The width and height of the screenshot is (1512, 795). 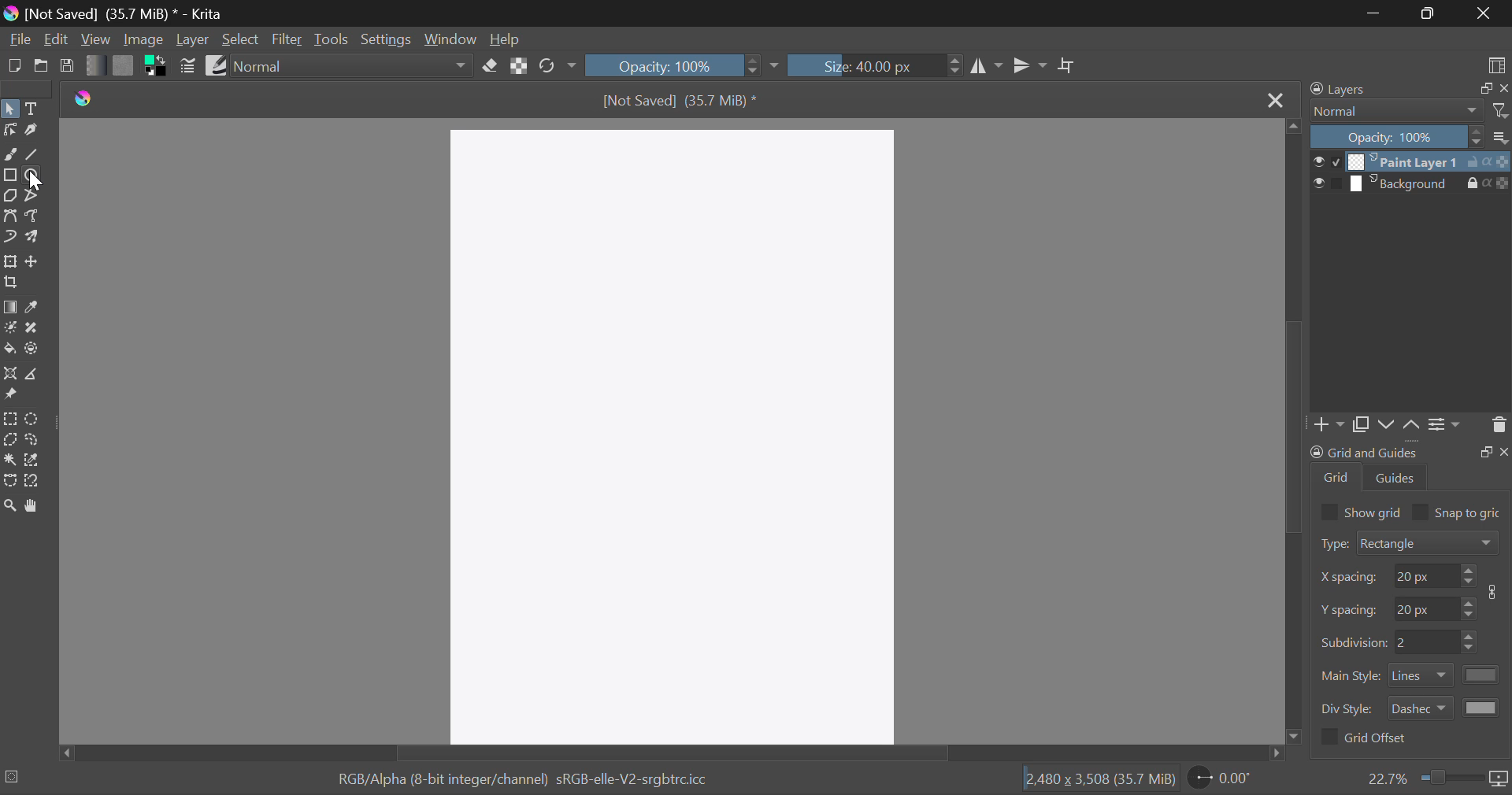 I want to click on Opacity, so click(x=684, y=65).